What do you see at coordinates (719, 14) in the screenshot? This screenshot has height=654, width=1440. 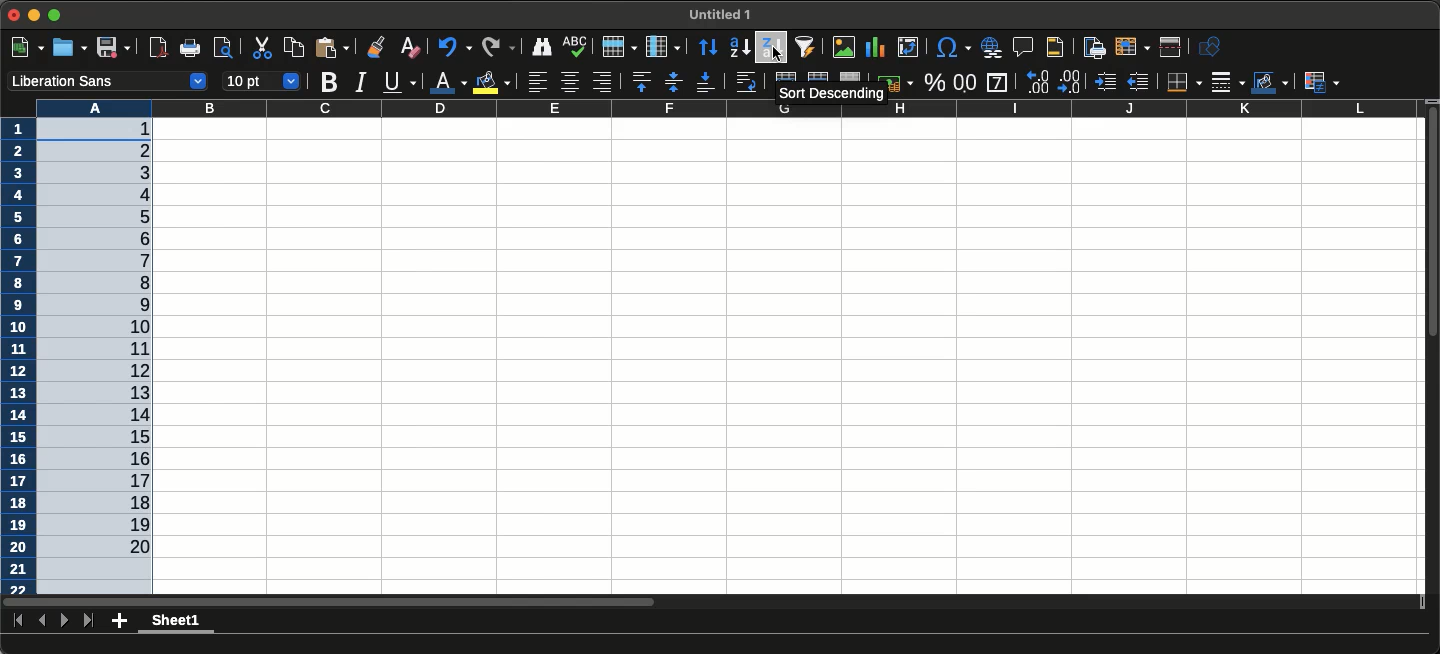 I see `File name` at bounding box center [719, 14].